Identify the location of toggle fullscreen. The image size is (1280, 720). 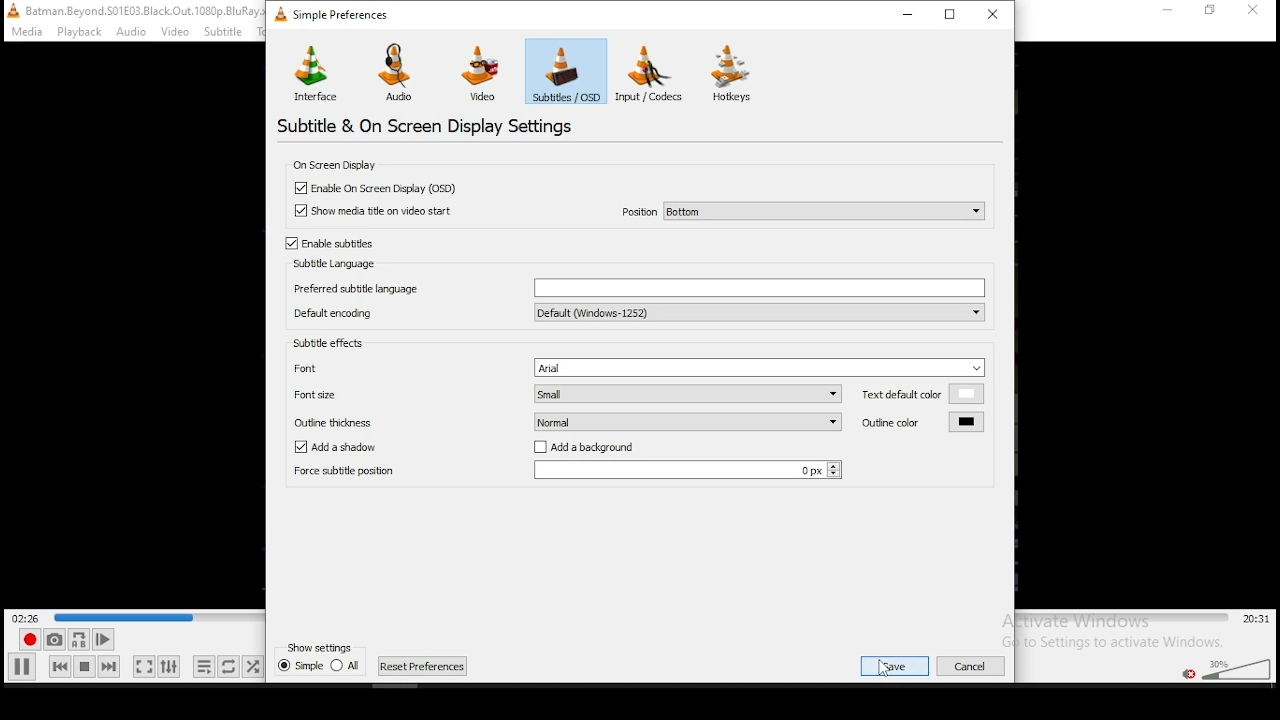
(142, 666).